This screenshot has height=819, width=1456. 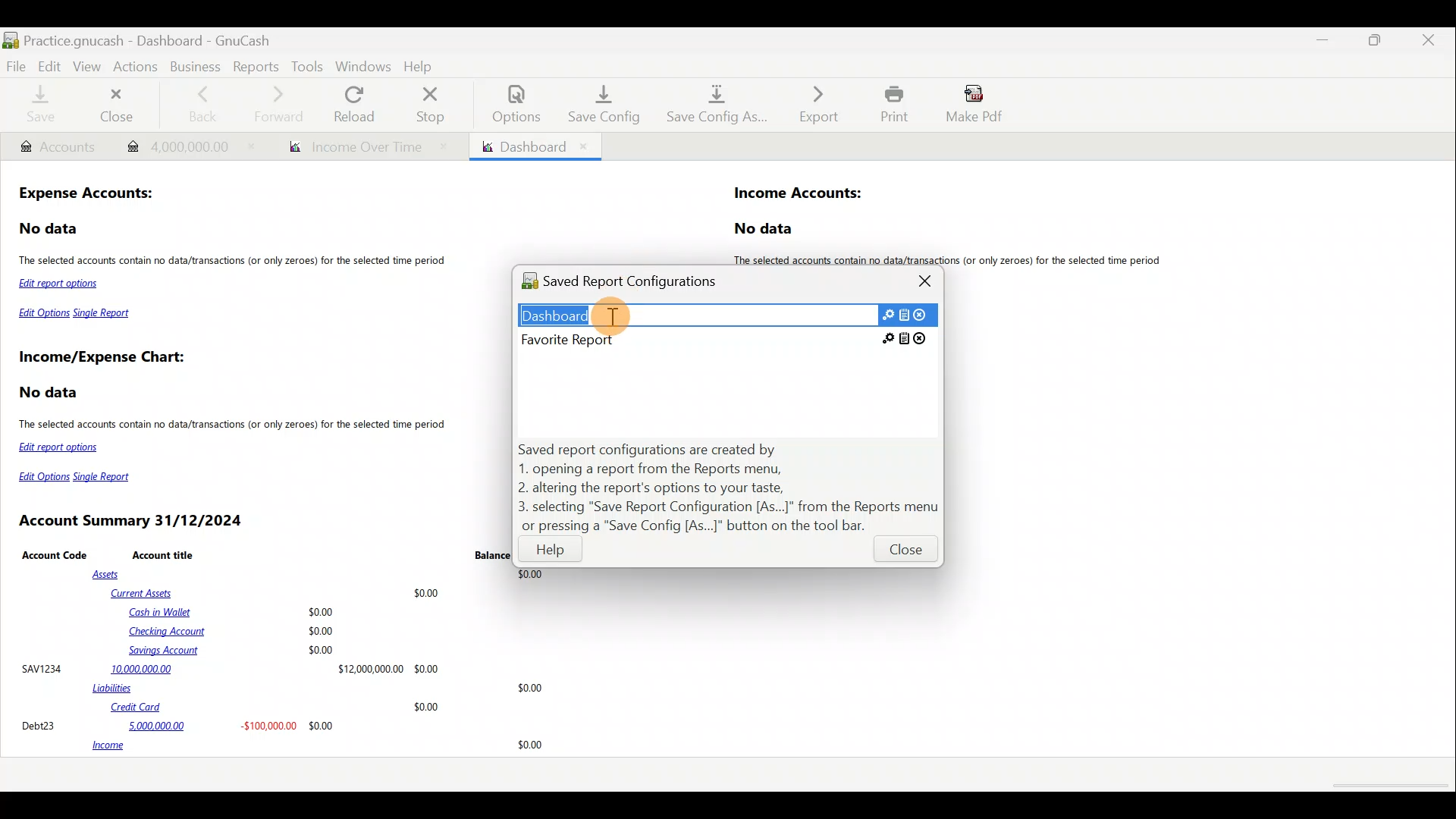 I want to click on Close, so click(x=927, y=281).